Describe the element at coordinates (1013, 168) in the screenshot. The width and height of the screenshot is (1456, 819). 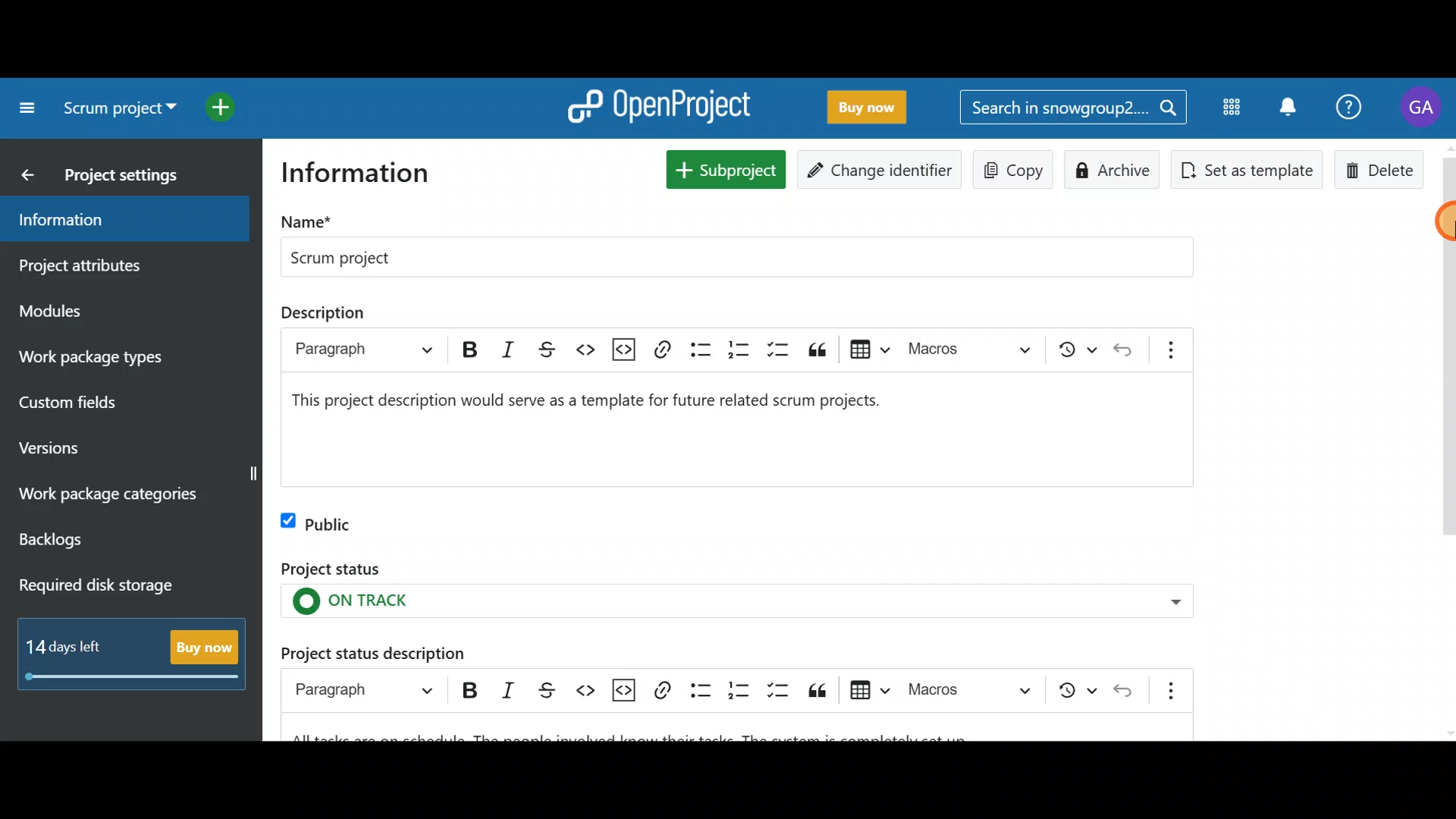
I see `Copy` at that location.